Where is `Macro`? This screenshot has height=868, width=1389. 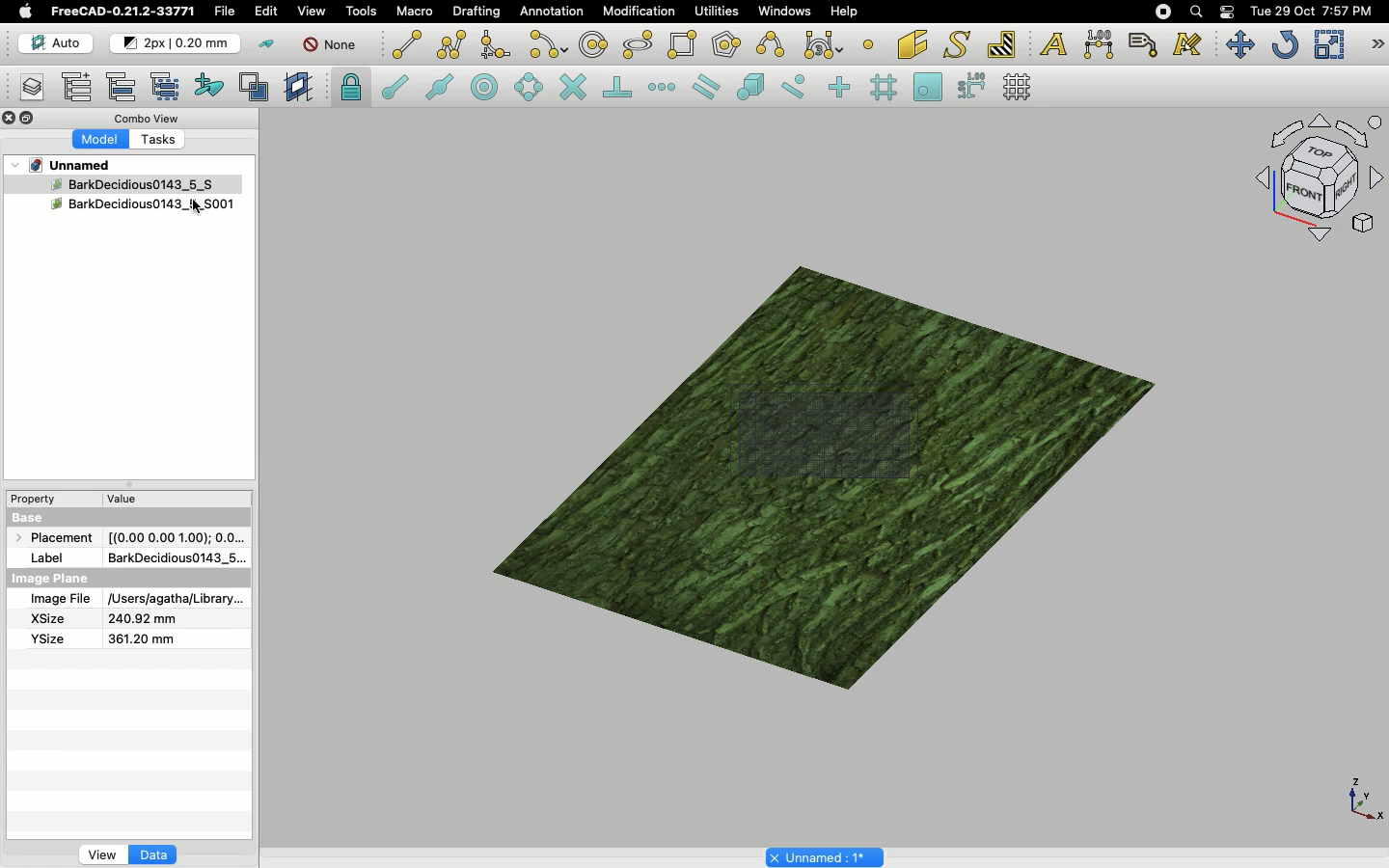
Macro is located at coordinates (416, 12).